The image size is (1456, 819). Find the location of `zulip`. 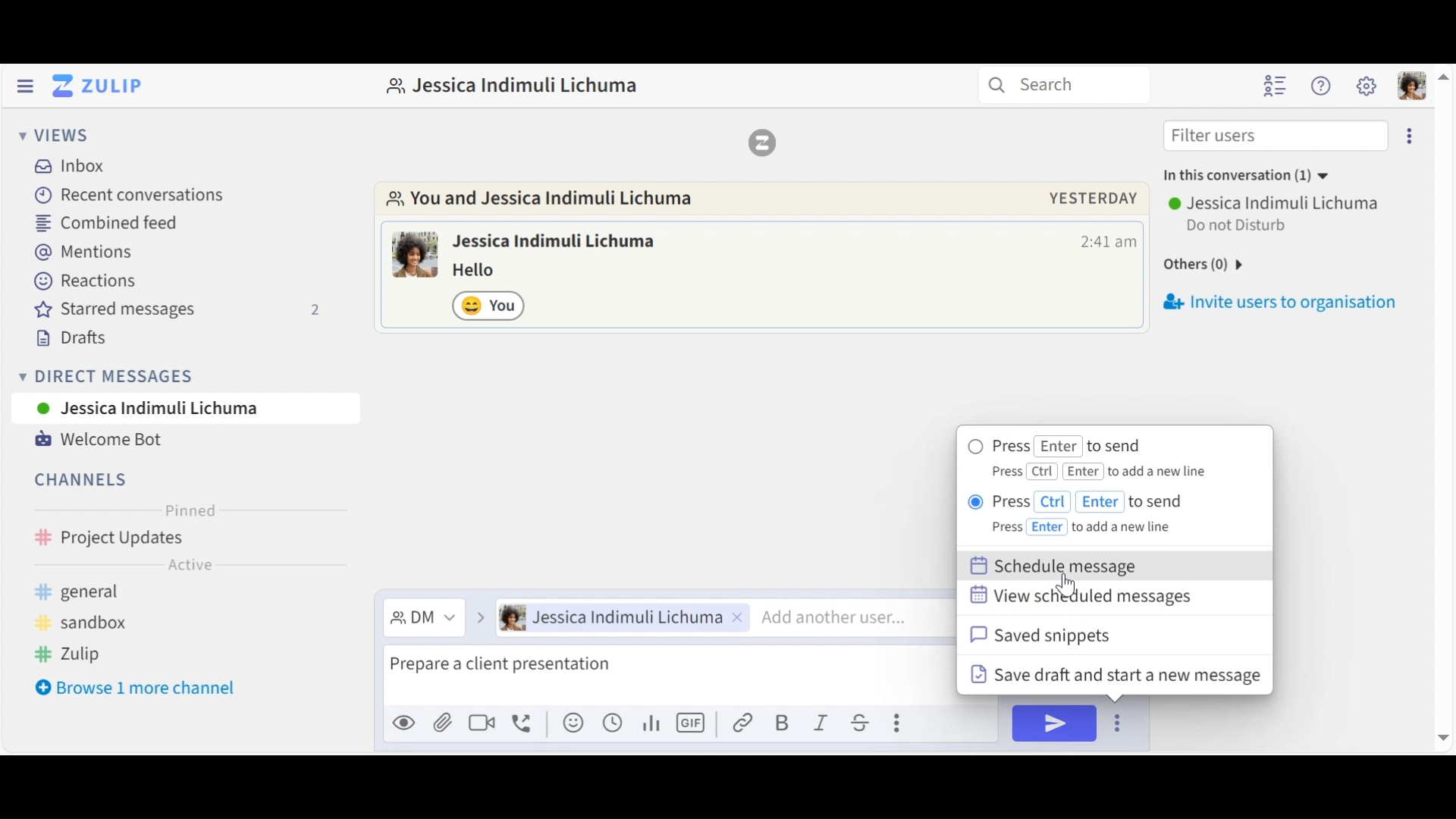

zulip is located at coordinates (69, 654).